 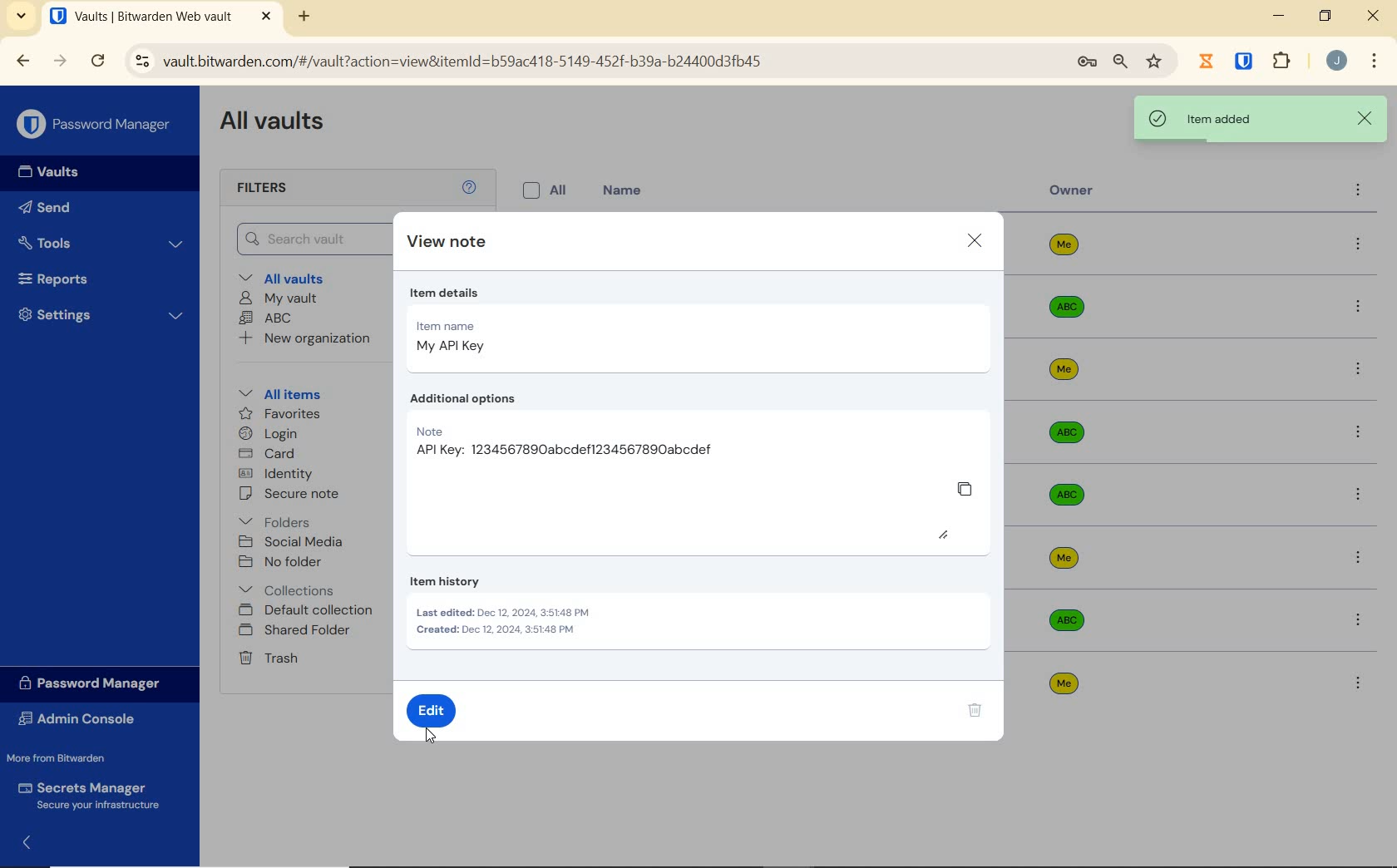 I want to click on CLOSE, so click(x=266, y=17).